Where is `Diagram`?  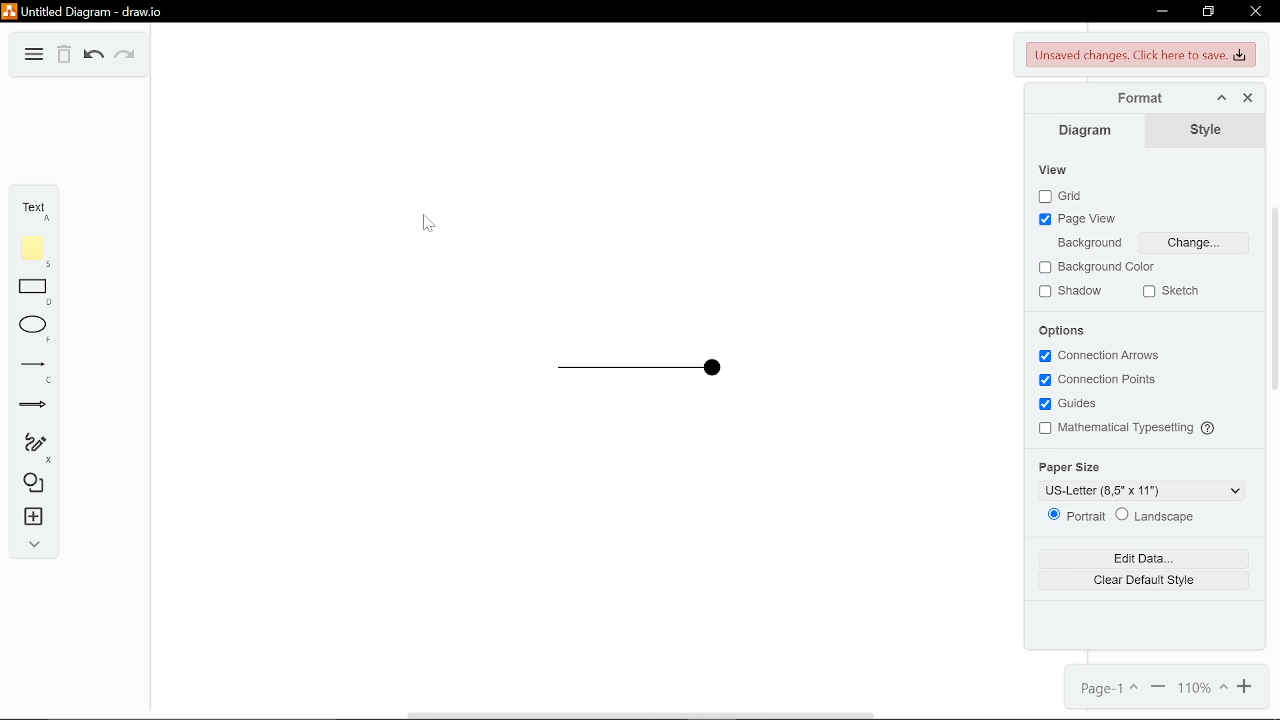
Diagram is located at coordinates (1085, 130).